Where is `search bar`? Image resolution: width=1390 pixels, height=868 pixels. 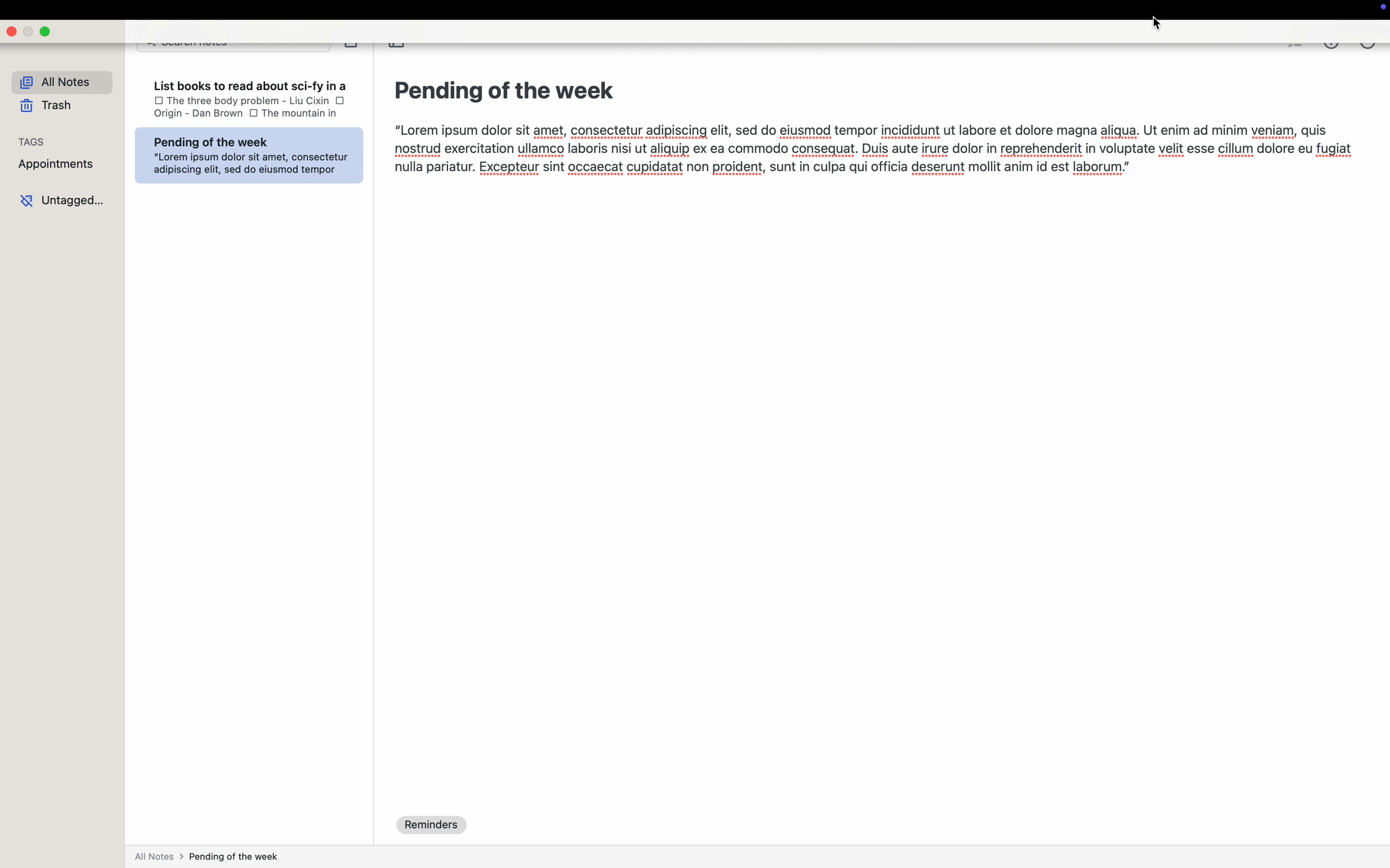
search bar is located at coordinates (233, 48).